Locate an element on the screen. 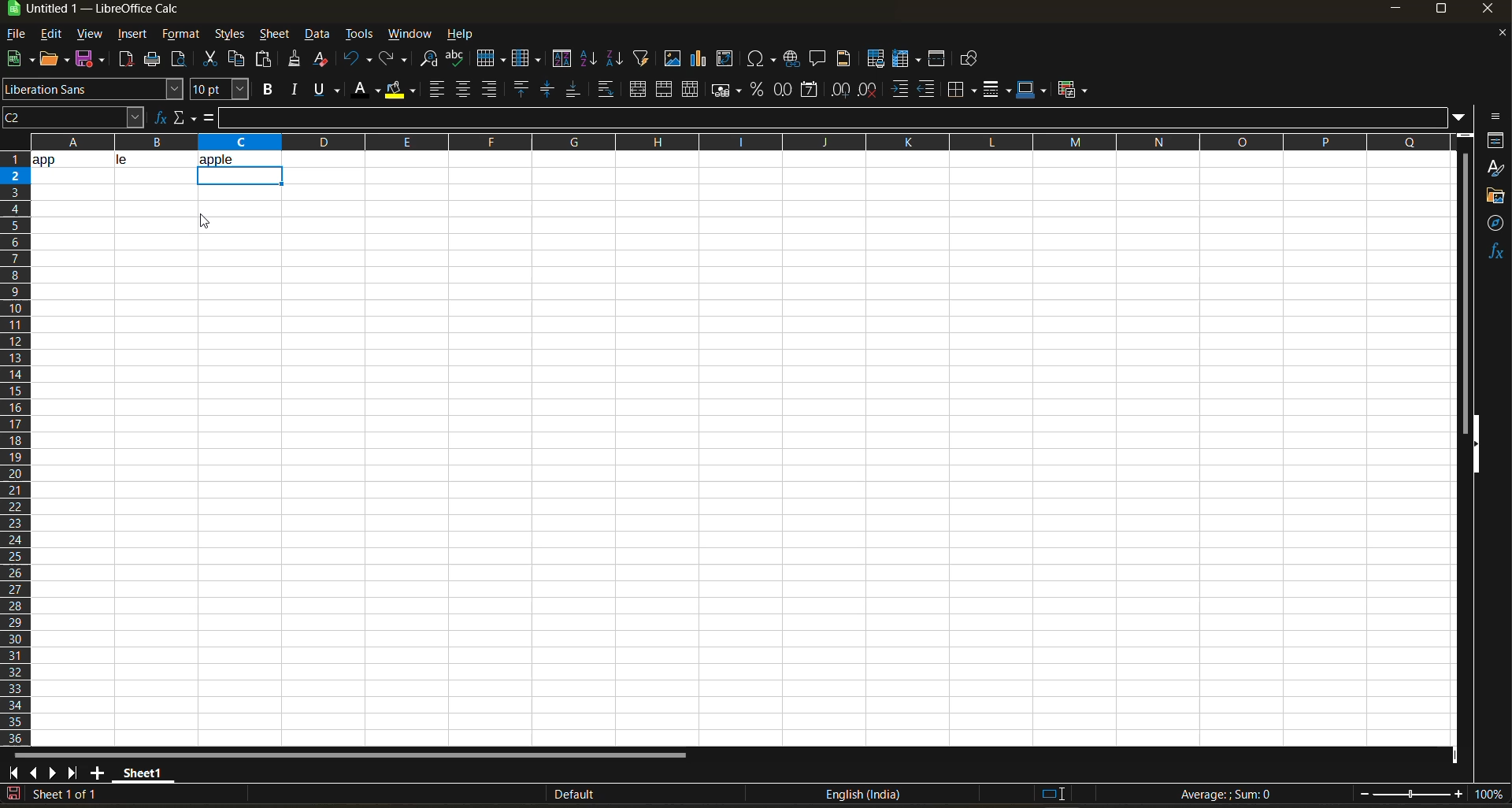 This screenshot has width=1512, height=808. align top is located at coordinates (519, 89).